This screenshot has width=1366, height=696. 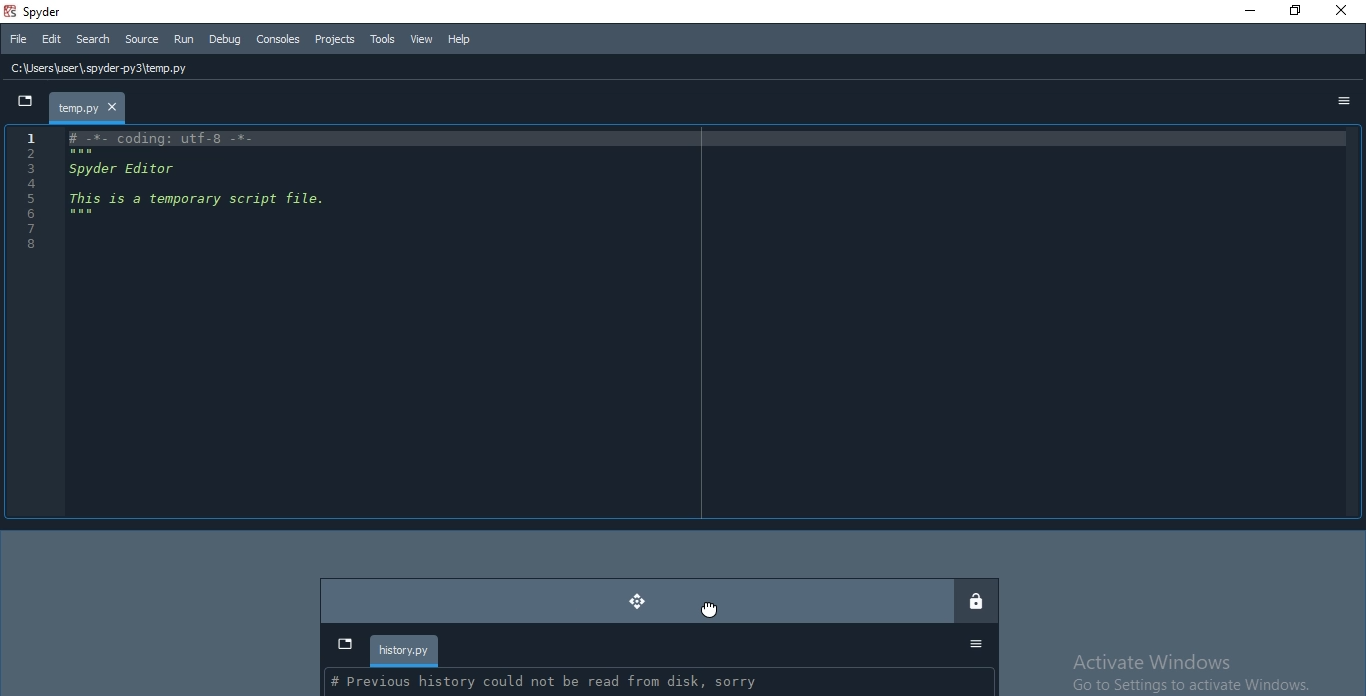 I want to click on dropdown, so click(x=20, y=101).